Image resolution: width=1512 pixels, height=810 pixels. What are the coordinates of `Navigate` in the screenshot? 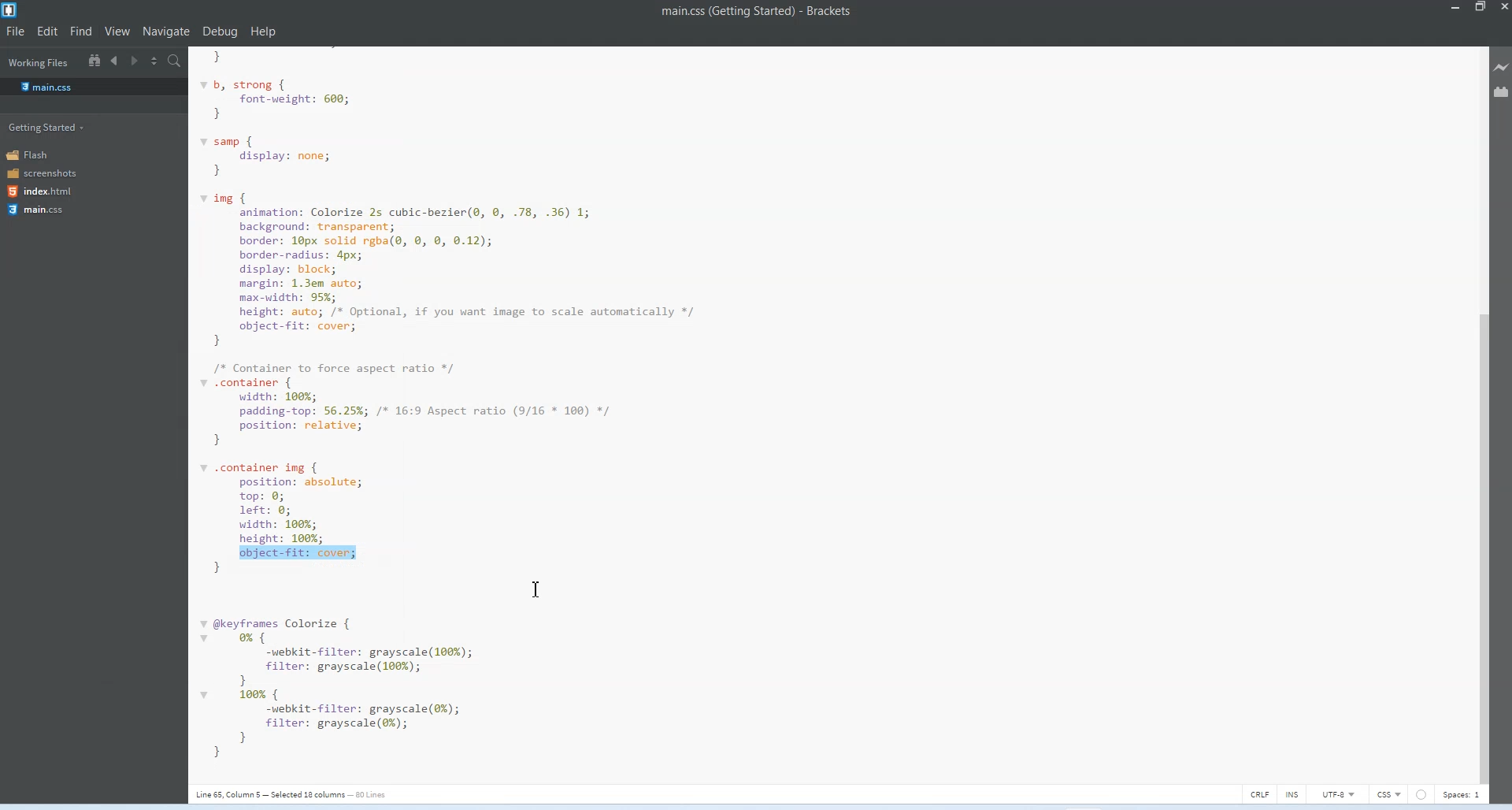 It's located at (166, 32).